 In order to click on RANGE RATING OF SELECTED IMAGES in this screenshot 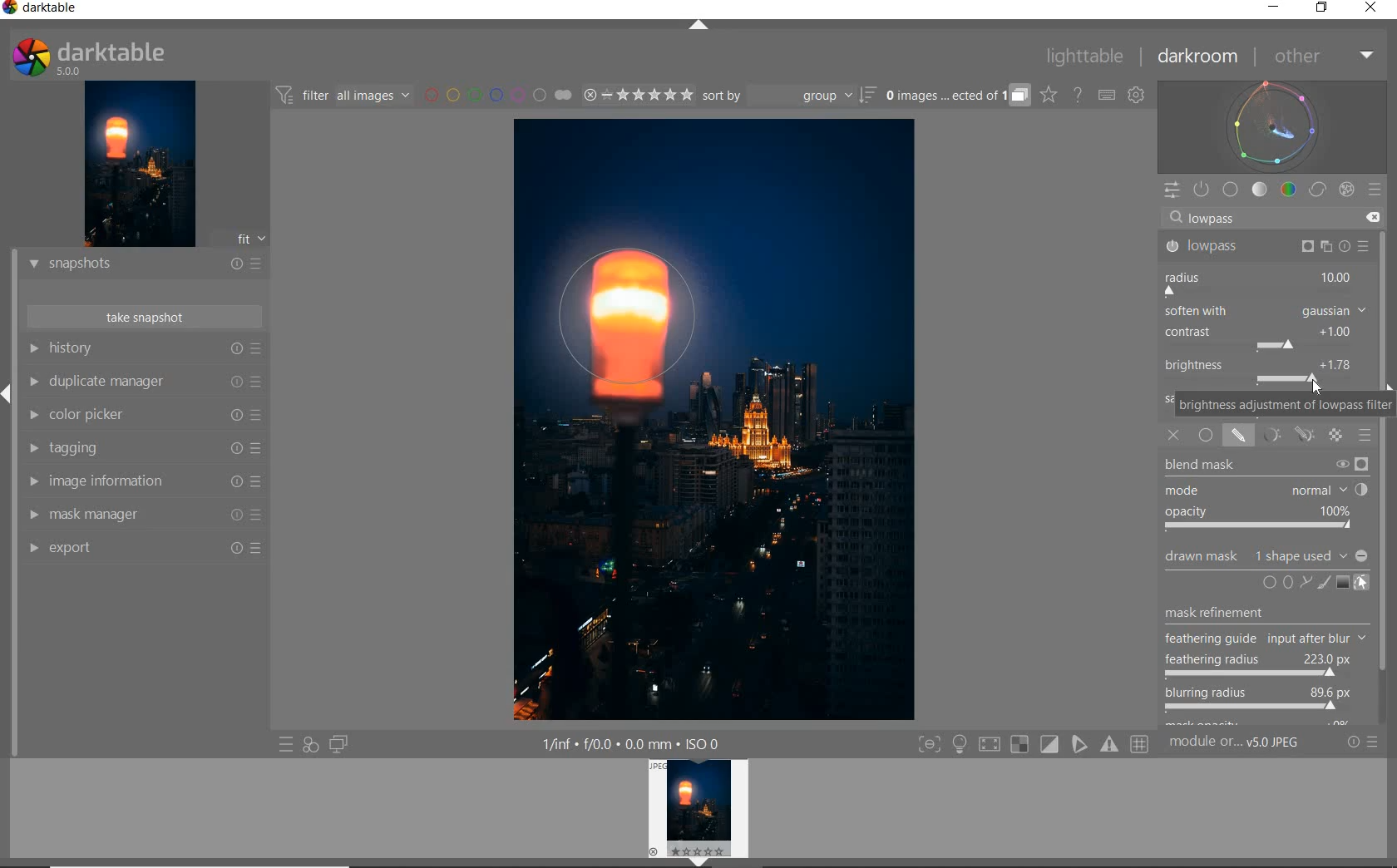, I will do `click(635, 96)`.